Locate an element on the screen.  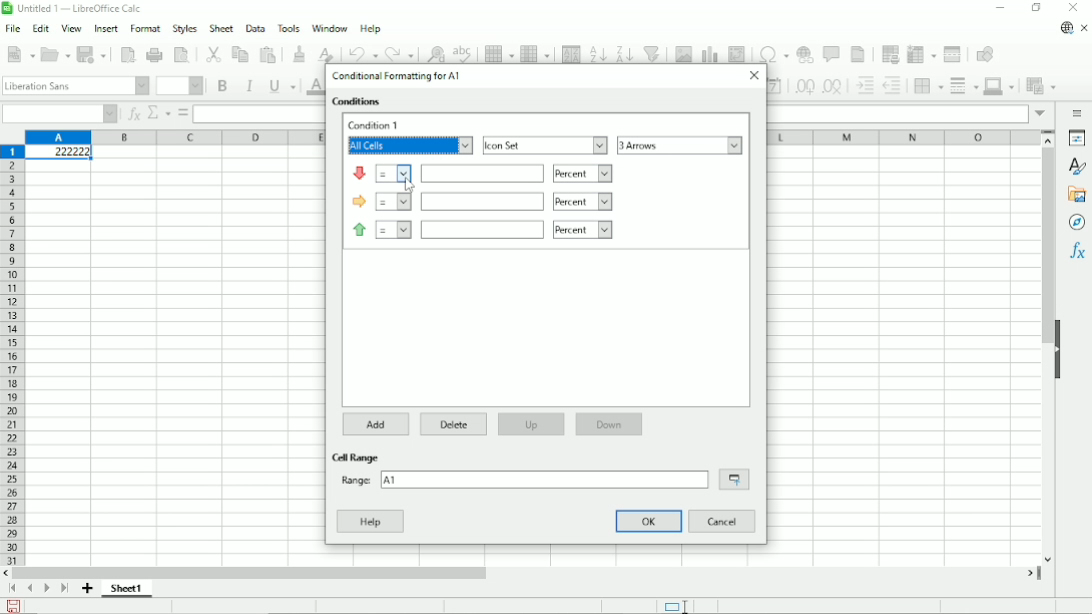
Font style is located at coordinates (75, 86).